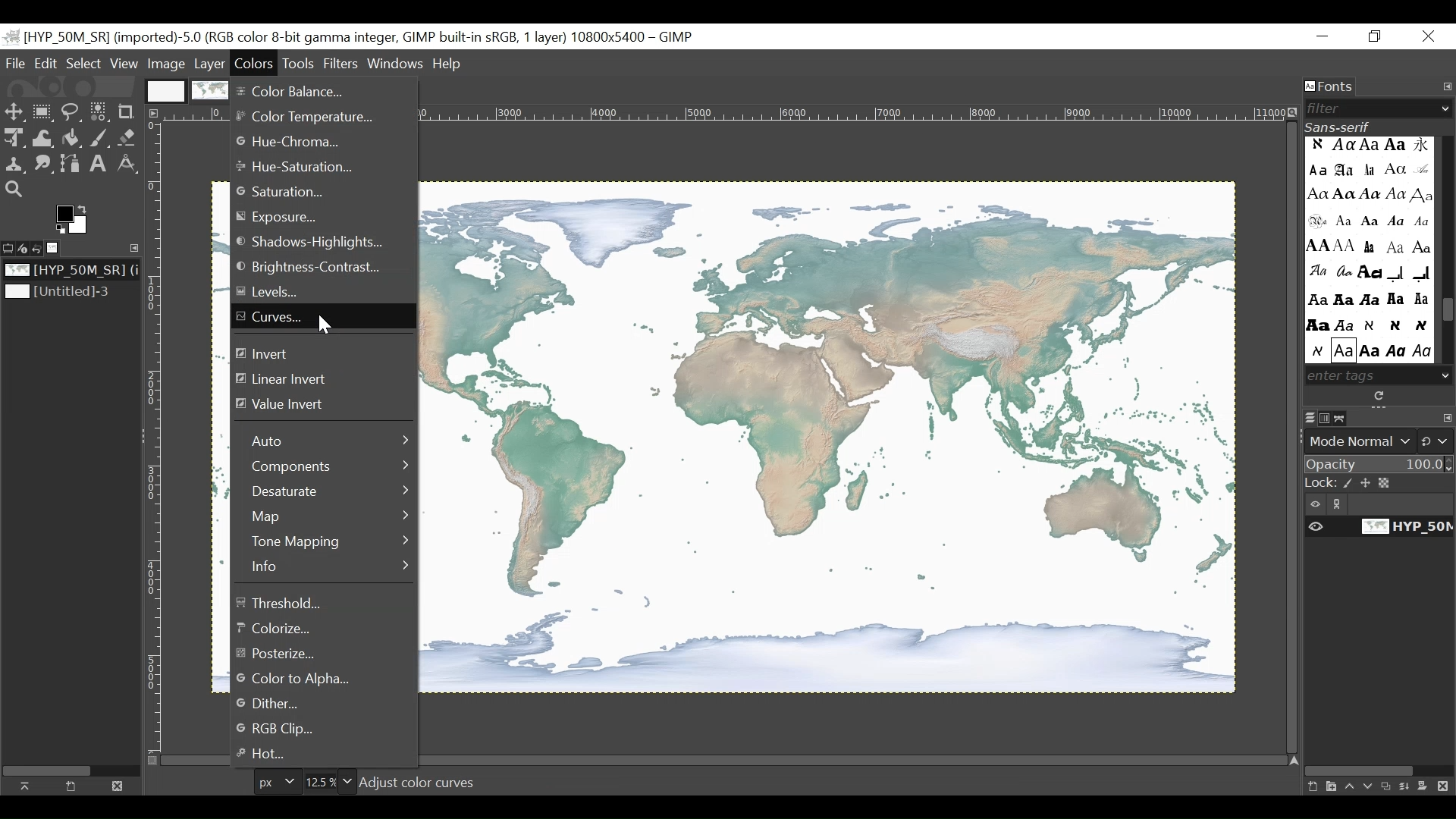  What do you see at coordinates (29, 786) in the screenshot?
I see `Raise this image display` at bounding box center [29, 786].